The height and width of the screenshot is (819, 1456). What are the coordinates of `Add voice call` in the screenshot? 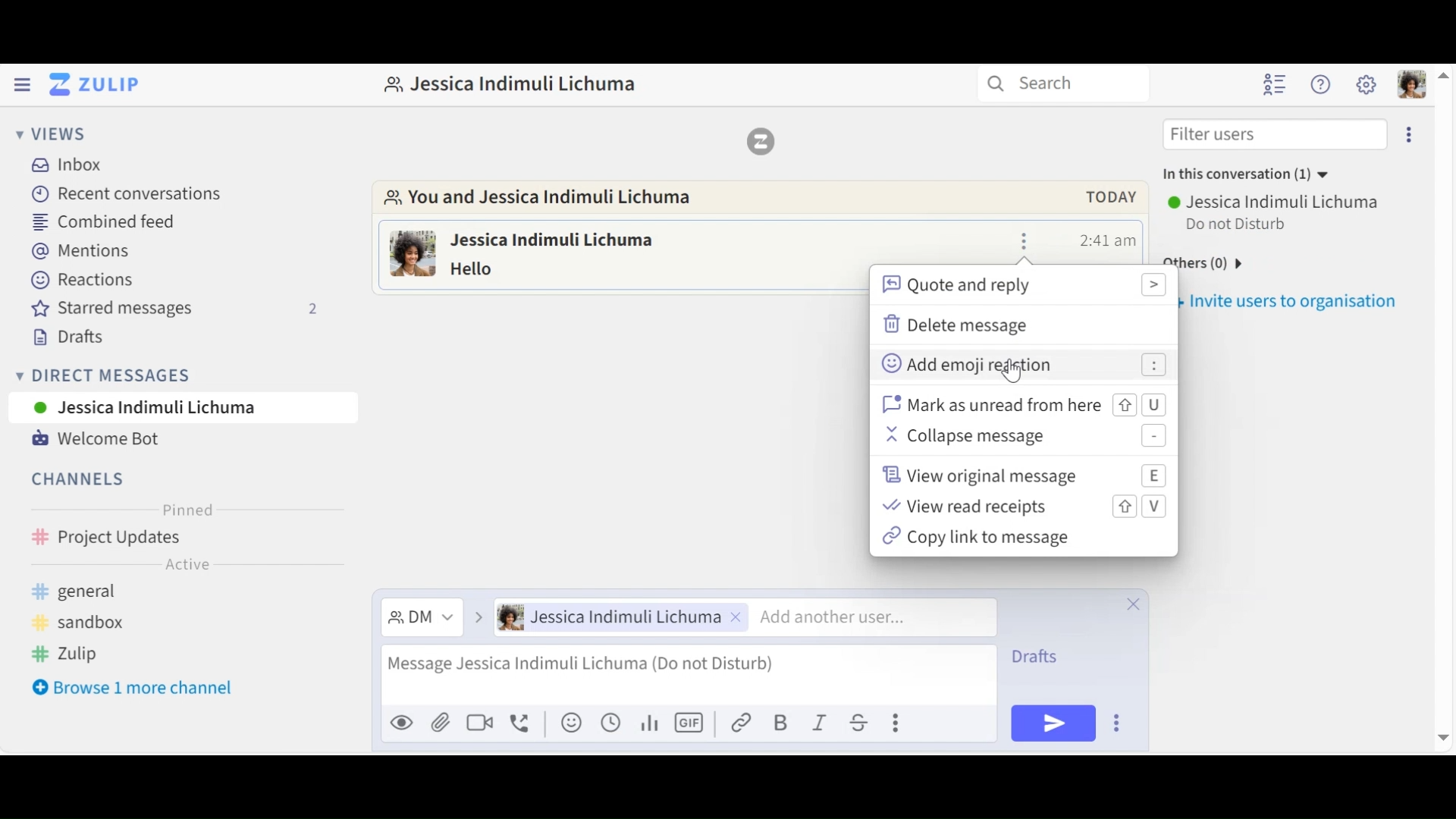 It's located at (522, 724).